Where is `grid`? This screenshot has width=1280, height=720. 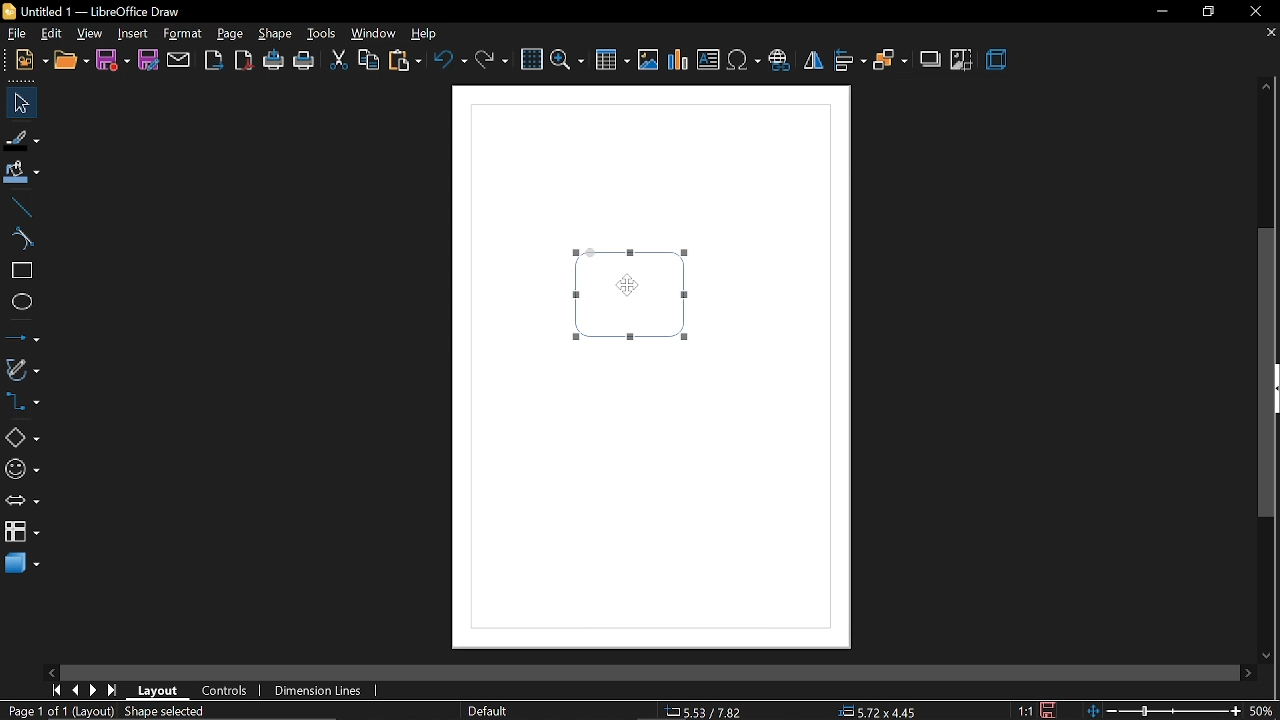
grid is located at coordinates (532, 60).